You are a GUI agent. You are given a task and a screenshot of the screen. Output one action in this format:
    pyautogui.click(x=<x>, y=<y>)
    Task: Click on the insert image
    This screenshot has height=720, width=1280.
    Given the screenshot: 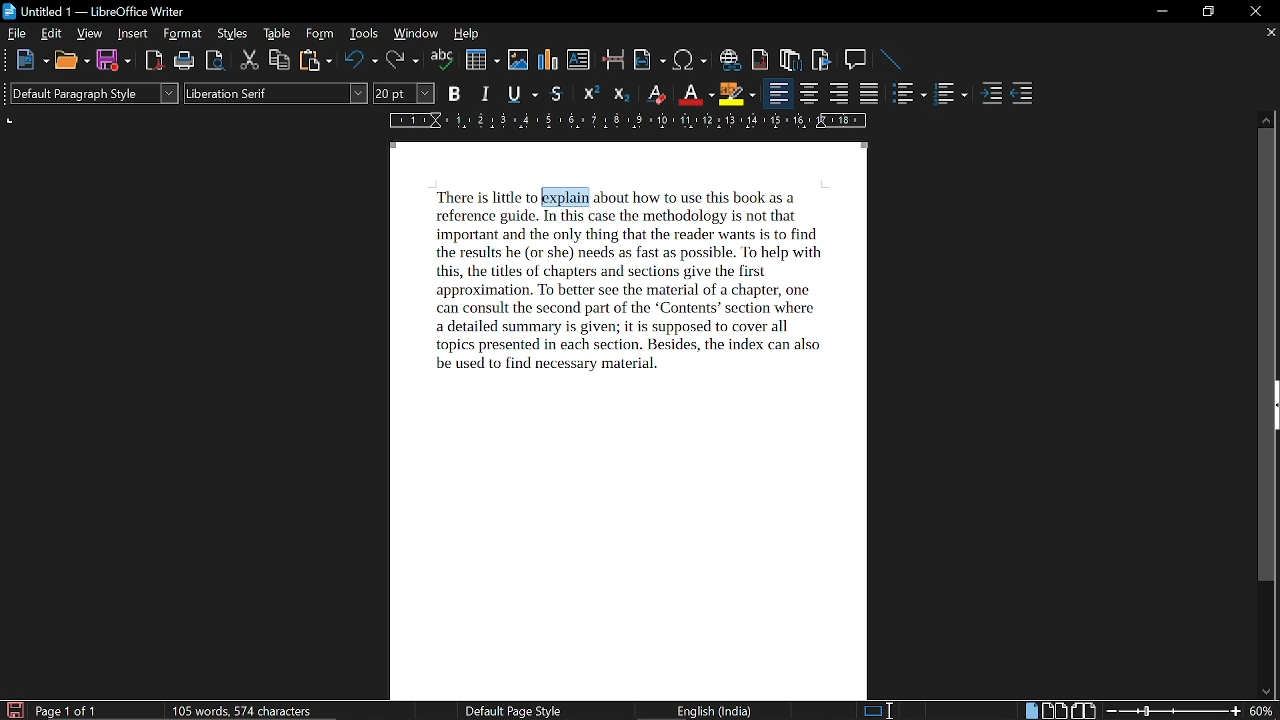 What is the action you would take?
    pyautogui.click(x=519, y=59)
    